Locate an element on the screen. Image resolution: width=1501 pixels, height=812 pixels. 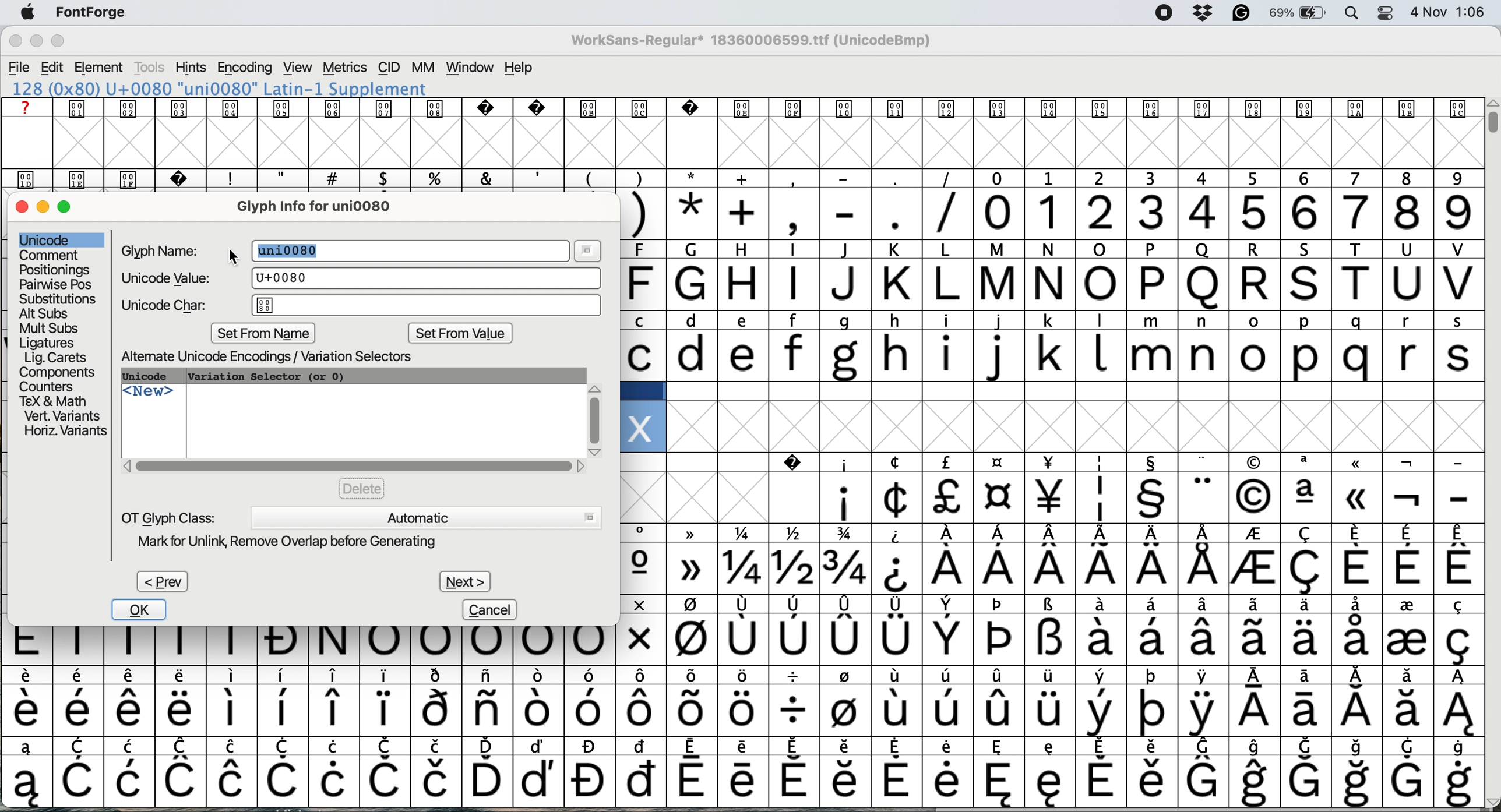
horizontal scroll bar is located at coordinates (354, 466).